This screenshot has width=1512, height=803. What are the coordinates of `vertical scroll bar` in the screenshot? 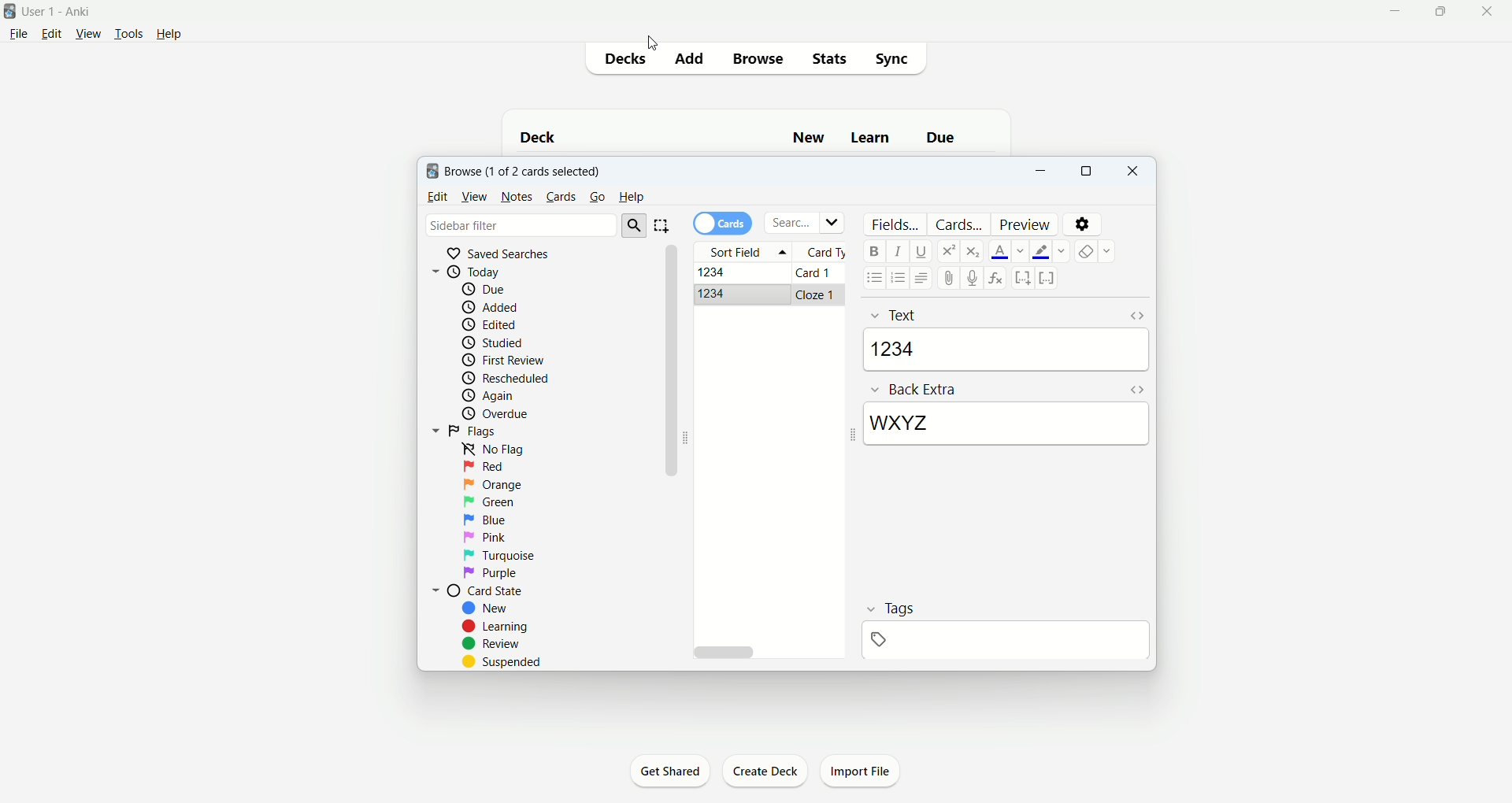 It's located at (677, 457).